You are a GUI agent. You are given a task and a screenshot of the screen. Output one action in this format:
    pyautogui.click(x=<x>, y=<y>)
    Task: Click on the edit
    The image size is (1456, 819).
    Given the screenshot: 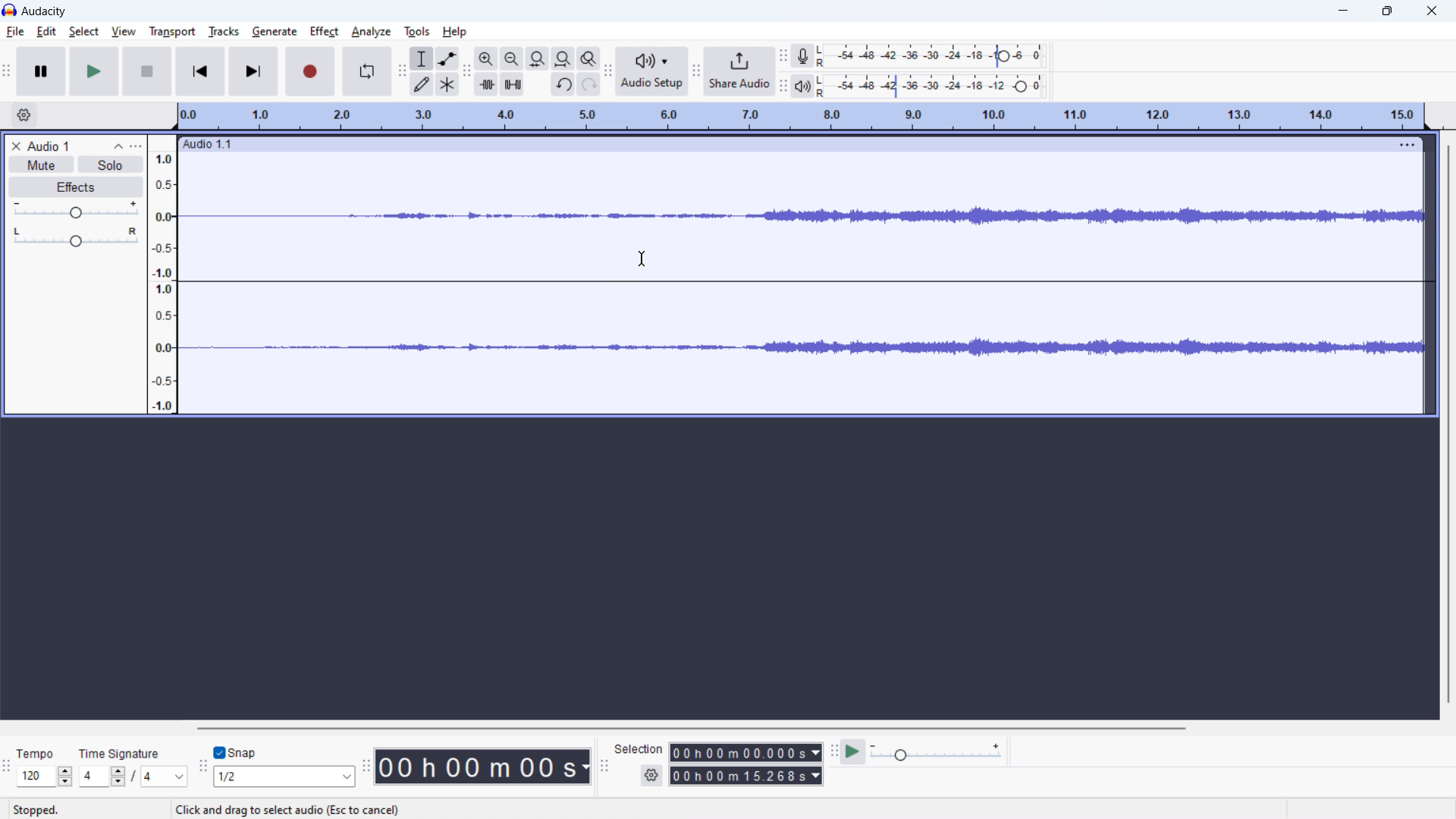 What is the action you would take?
    pyautogui.click(x=47, y=32)
    